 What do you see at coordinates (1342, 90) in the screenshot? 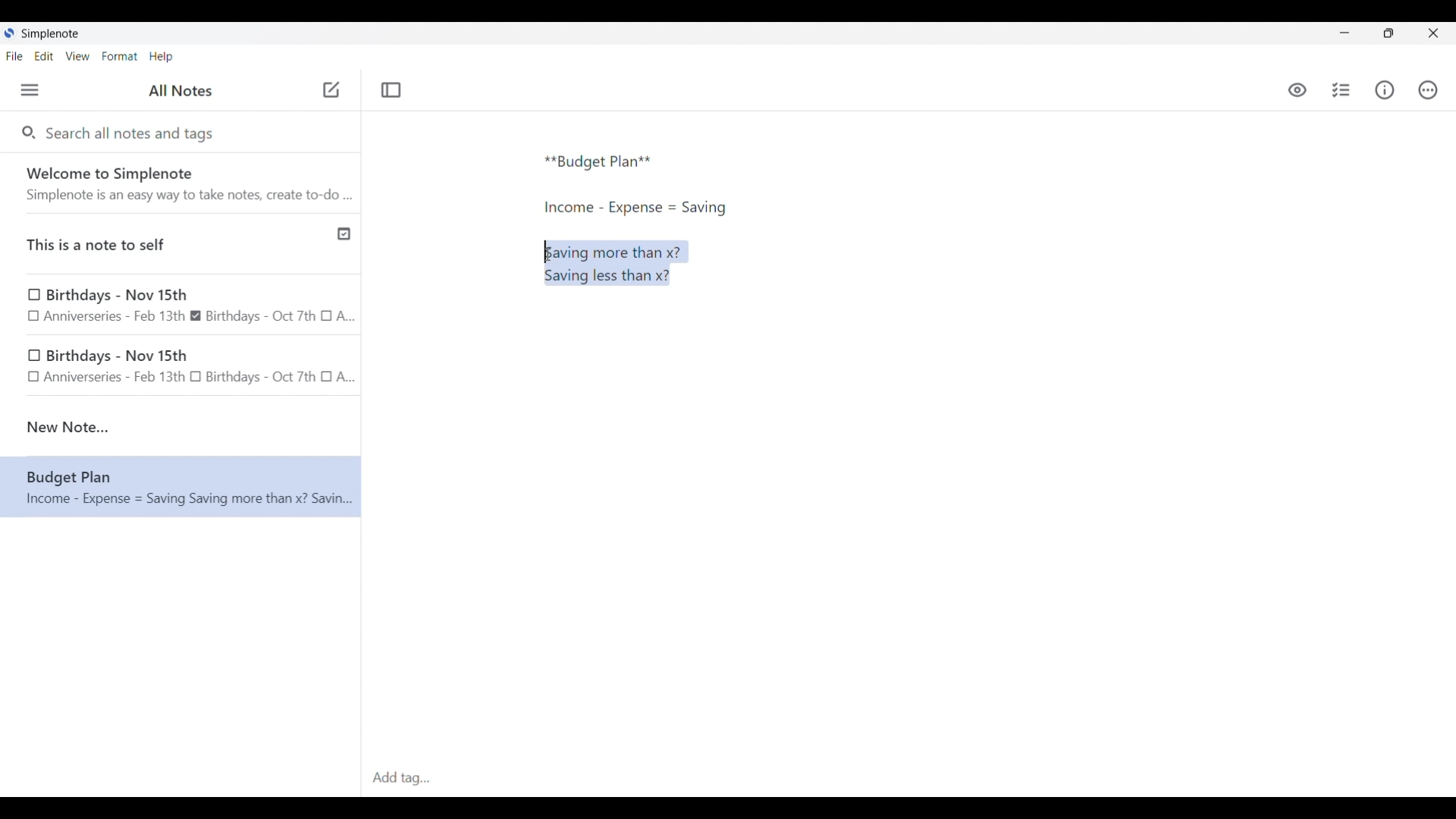
I see `Insert checklist` at bounding box center [1342, 90].